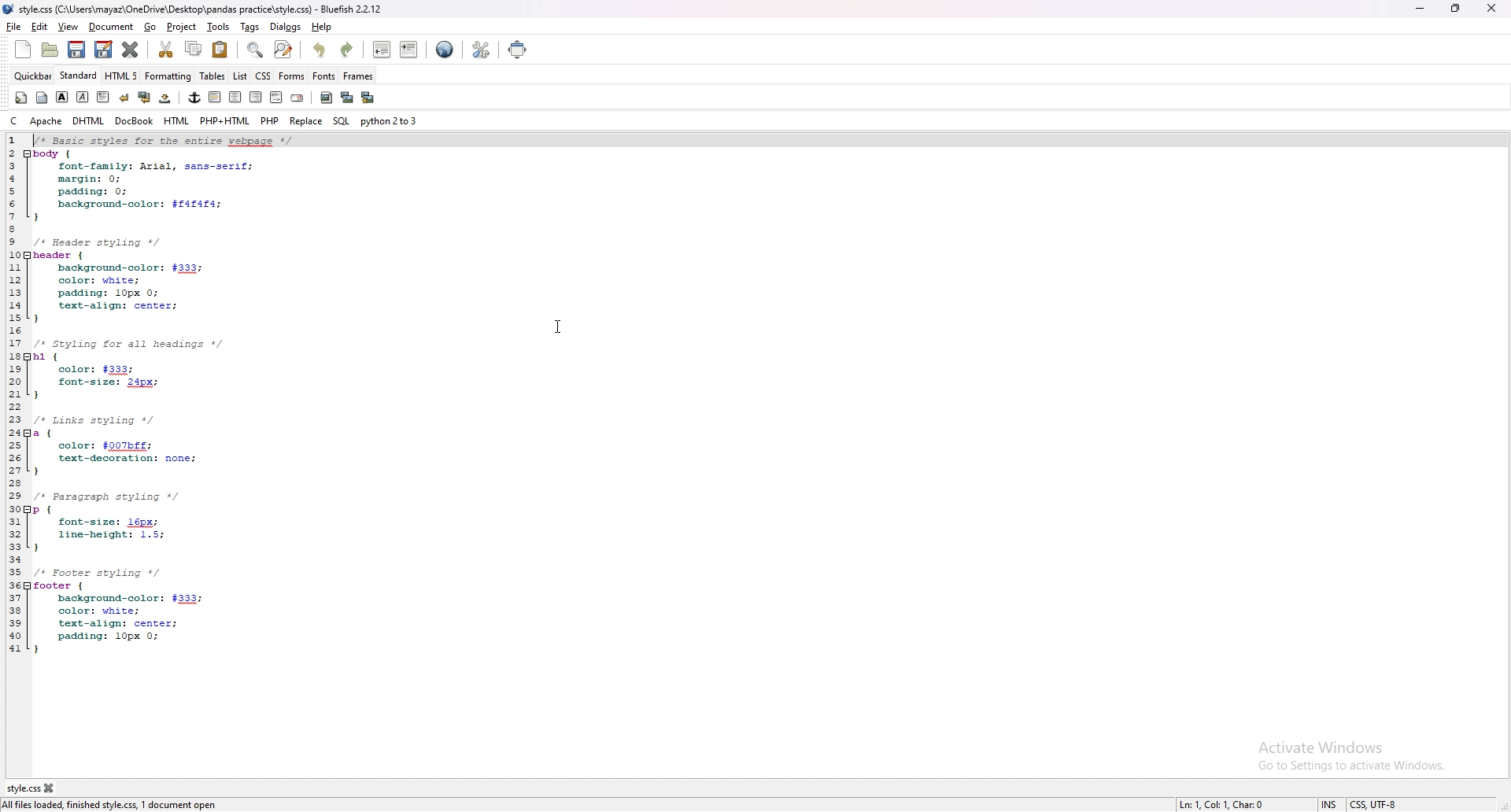 This screenshot has width=1511, height=812. What do you see at coordinates (284, 49) in the screenshot?
I see `advanced find and replace` at bounding box center [284, 49].